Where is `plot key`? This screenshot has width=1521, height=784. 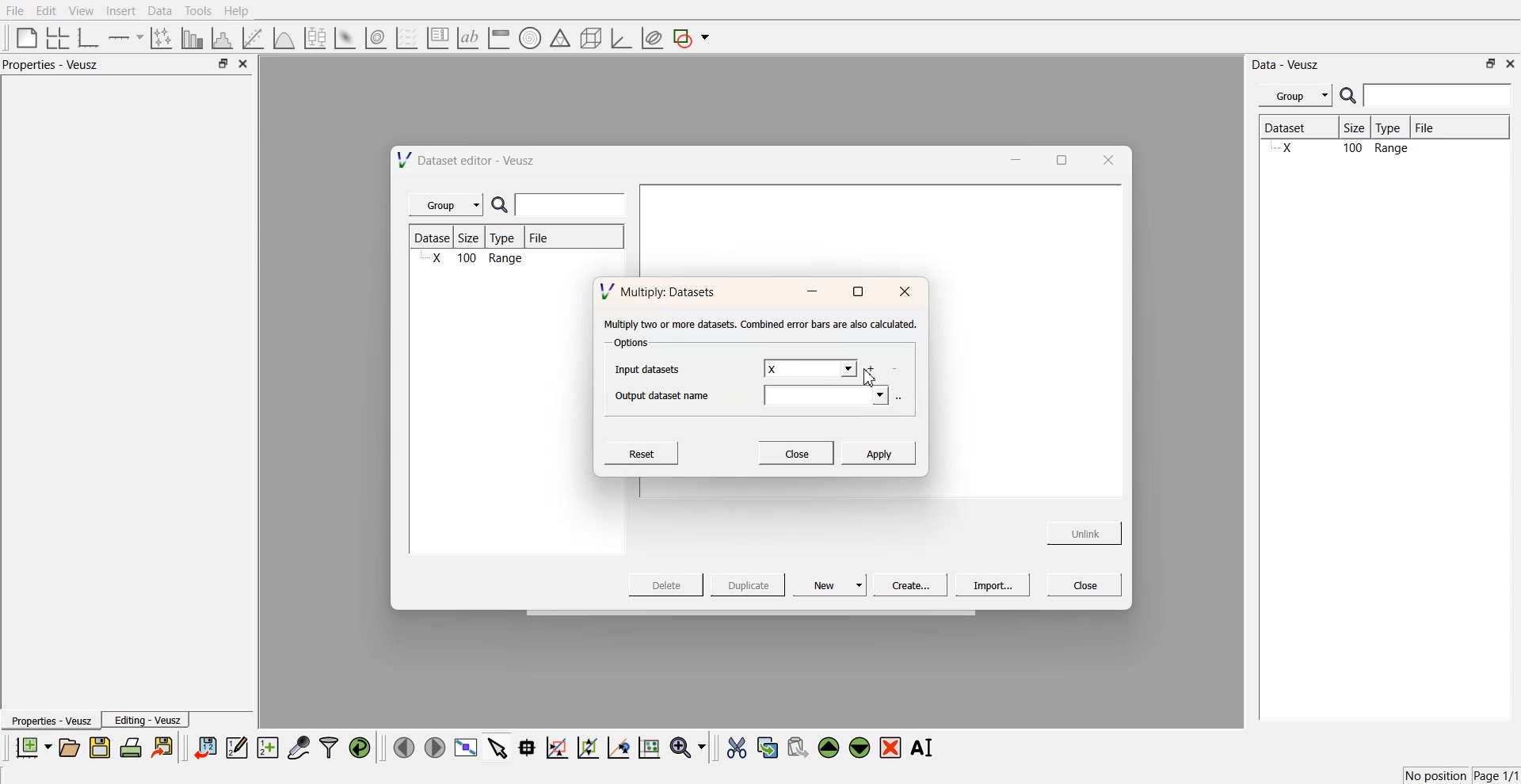
plot key is located at coordinates (437, 38).